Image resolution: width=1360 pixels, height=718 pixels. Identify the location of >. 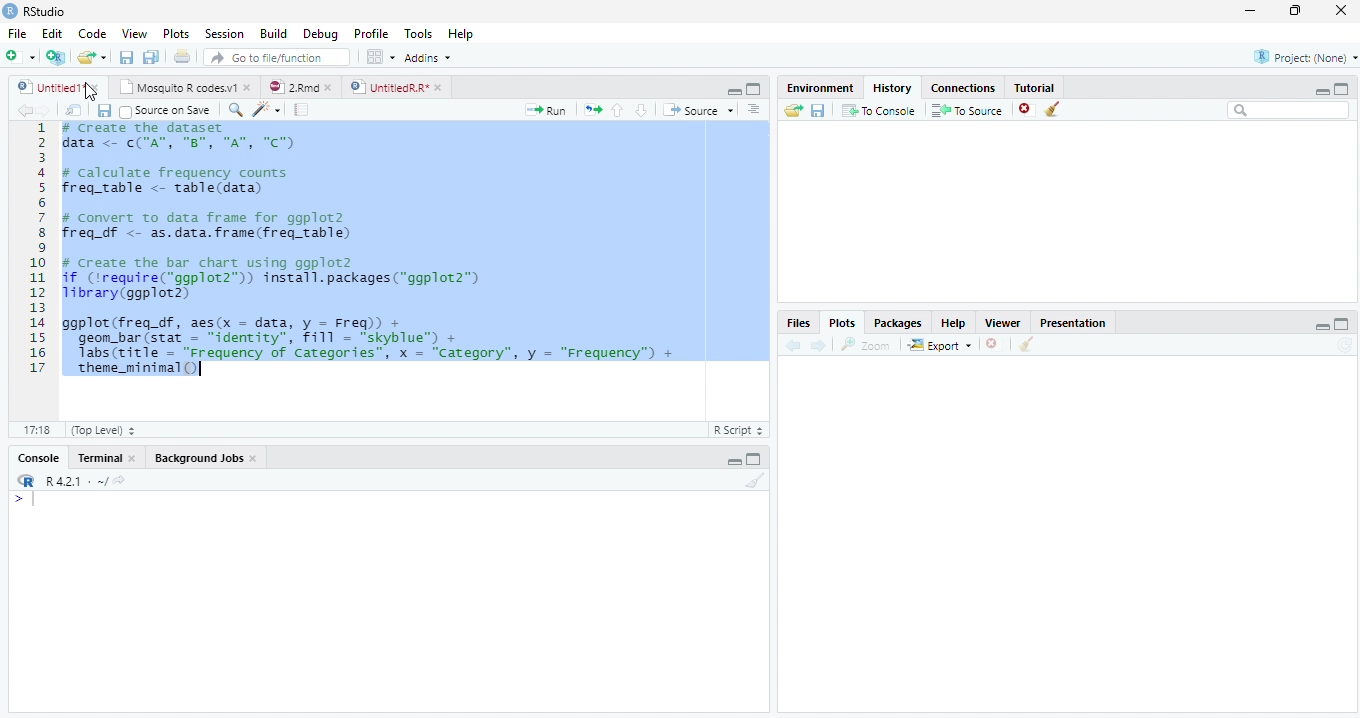
(13, 498).